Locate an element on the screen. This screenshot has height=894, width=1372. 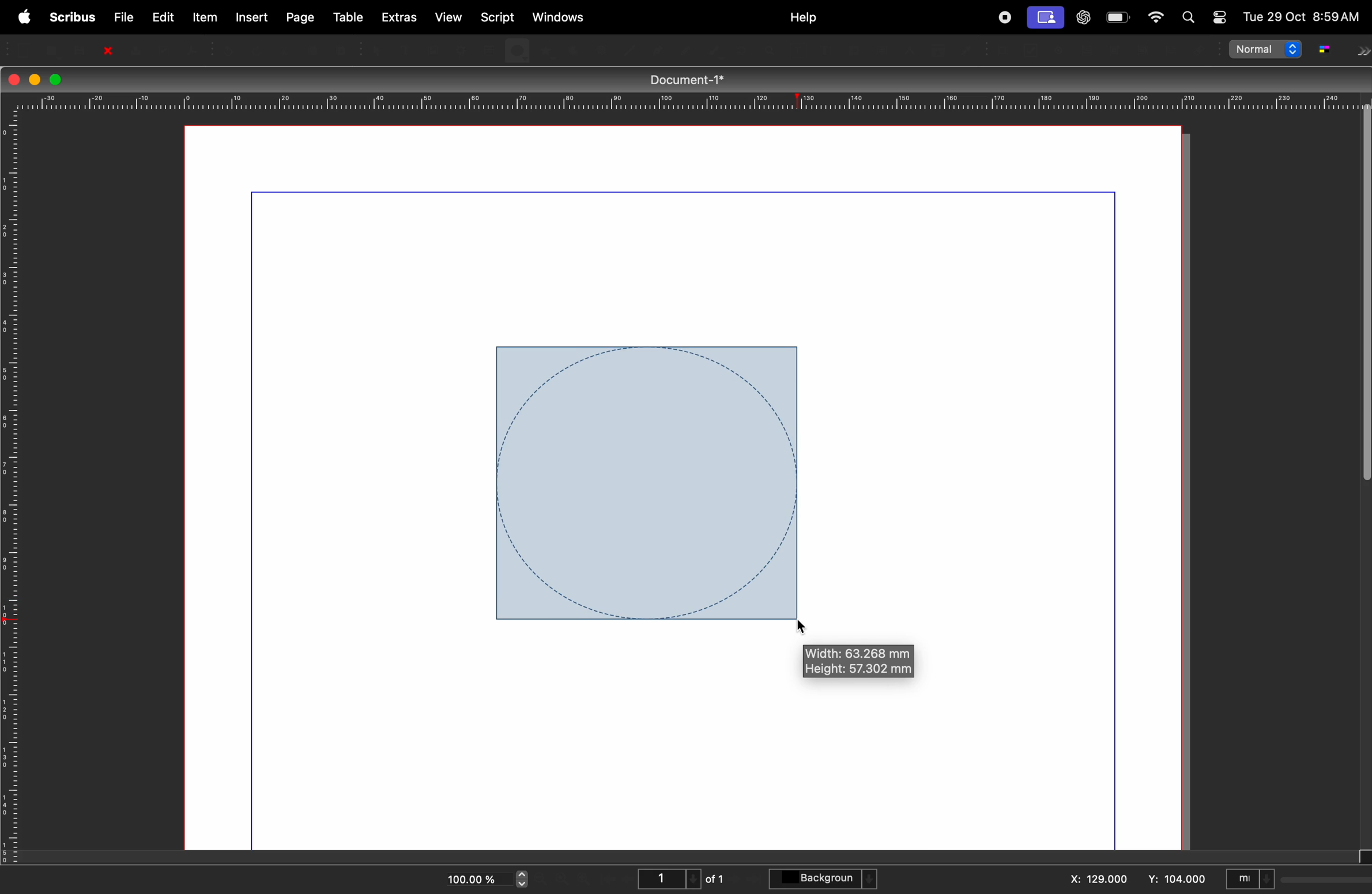
scribus is located at coordinates (70, 17).